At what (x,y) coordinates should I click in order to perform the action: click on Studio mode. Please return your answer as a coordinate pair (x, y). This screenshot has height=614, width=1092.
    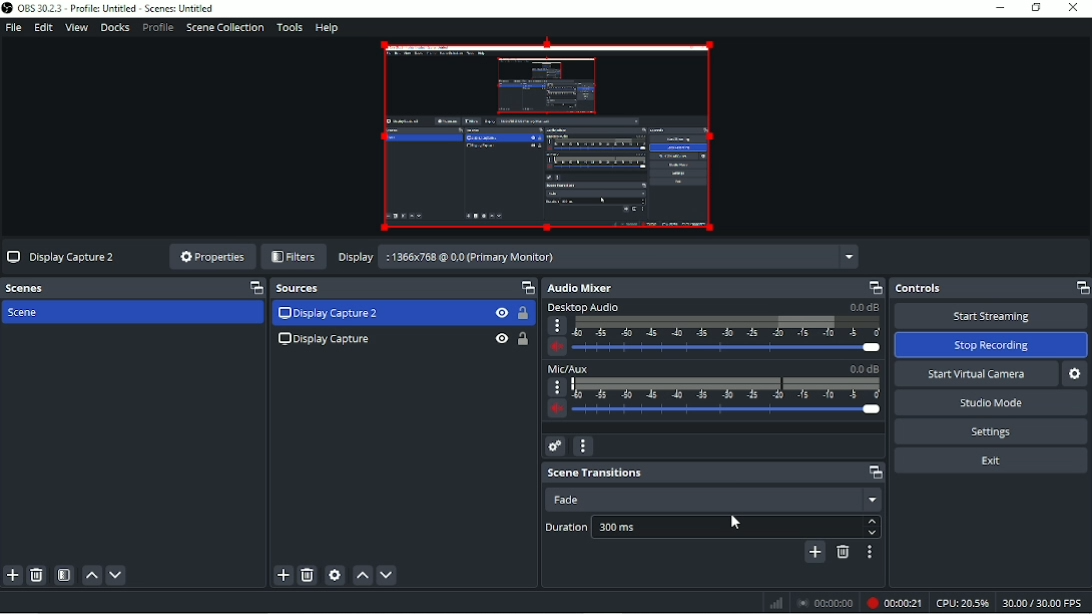
    Looking at the image, I should click on (991, 403).